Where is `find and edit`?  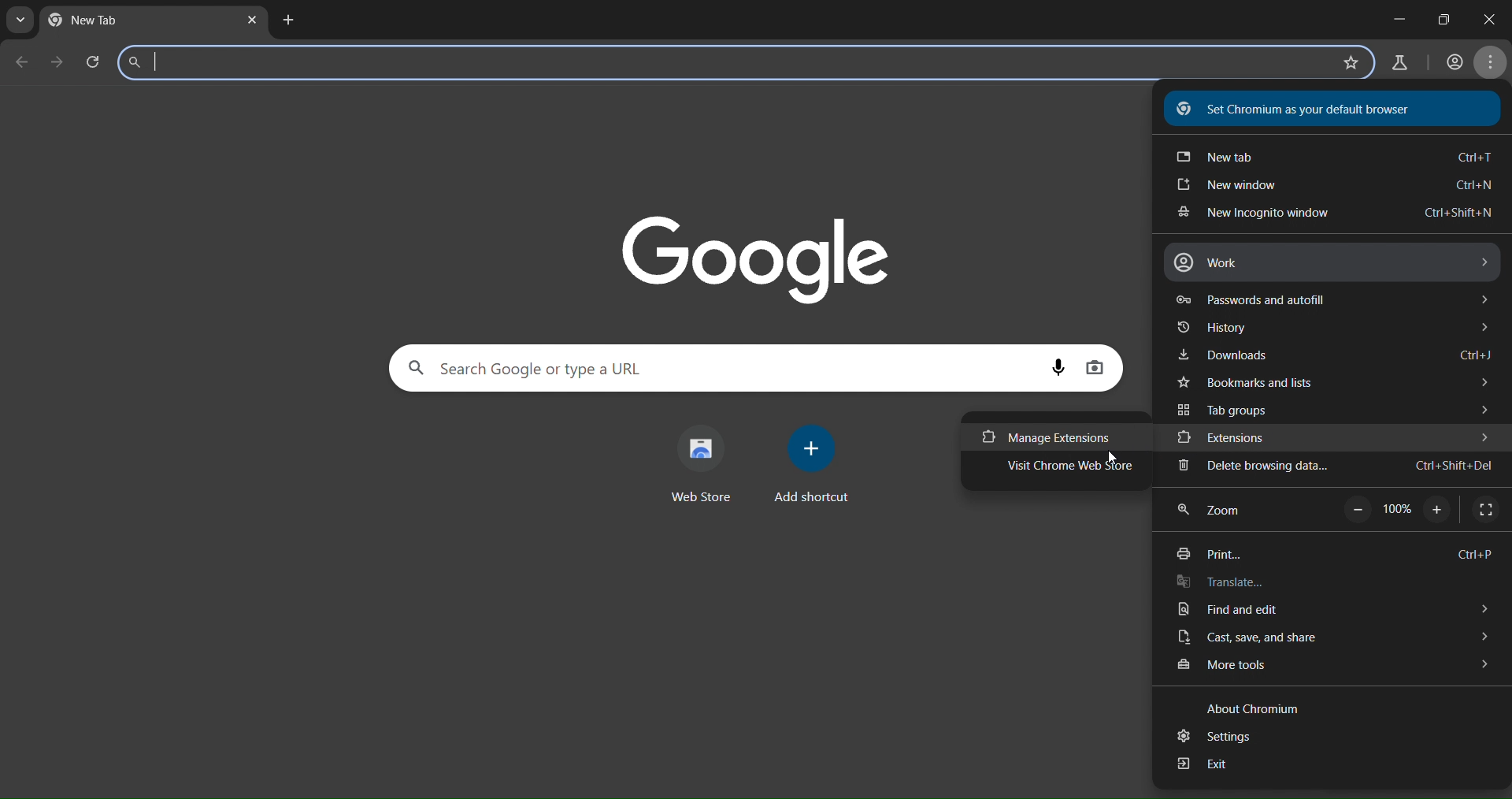
find and edit is located at coordinates (1339, 609).